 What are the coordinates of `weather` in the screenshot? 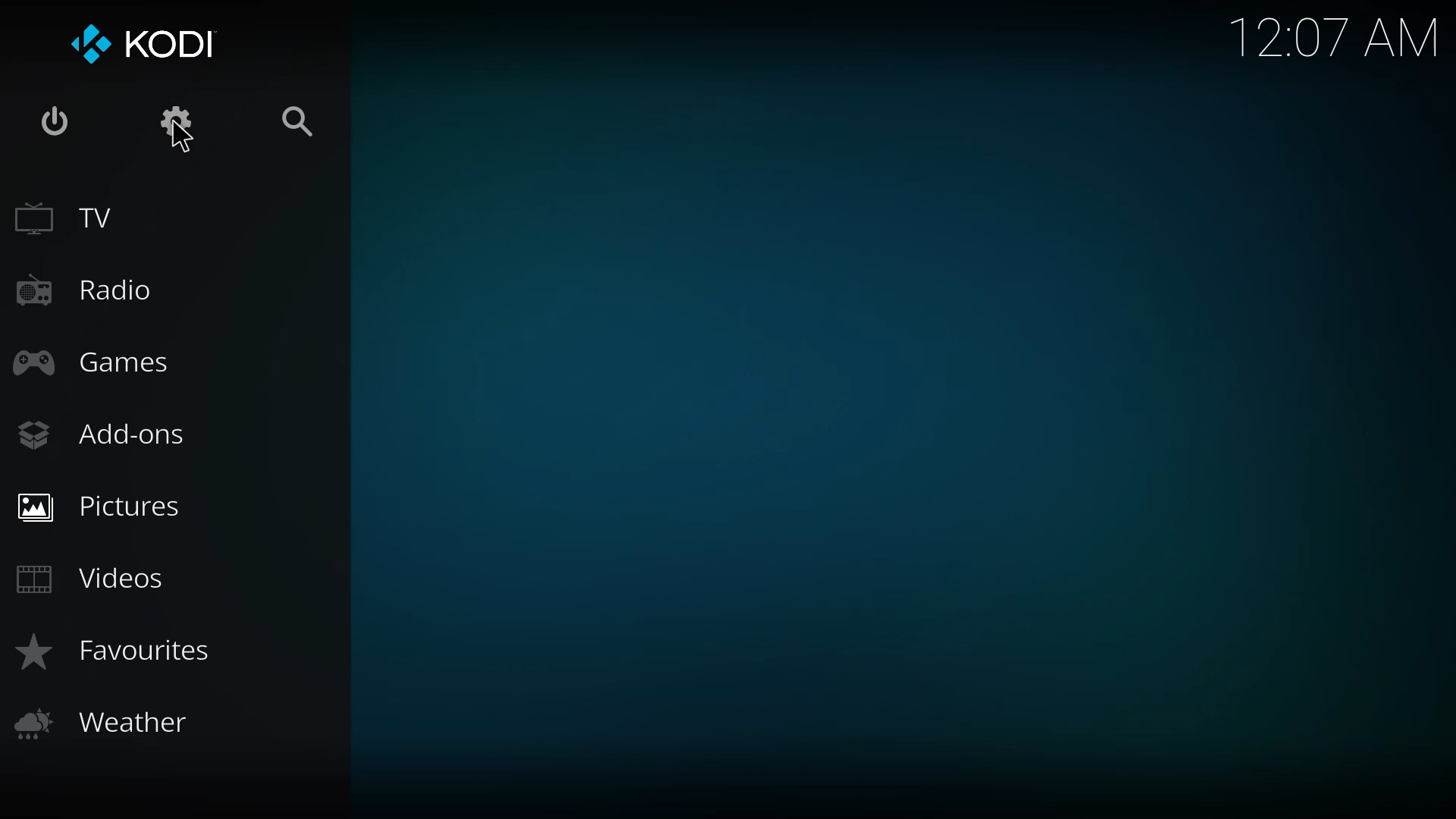 It's located at (110, 723).